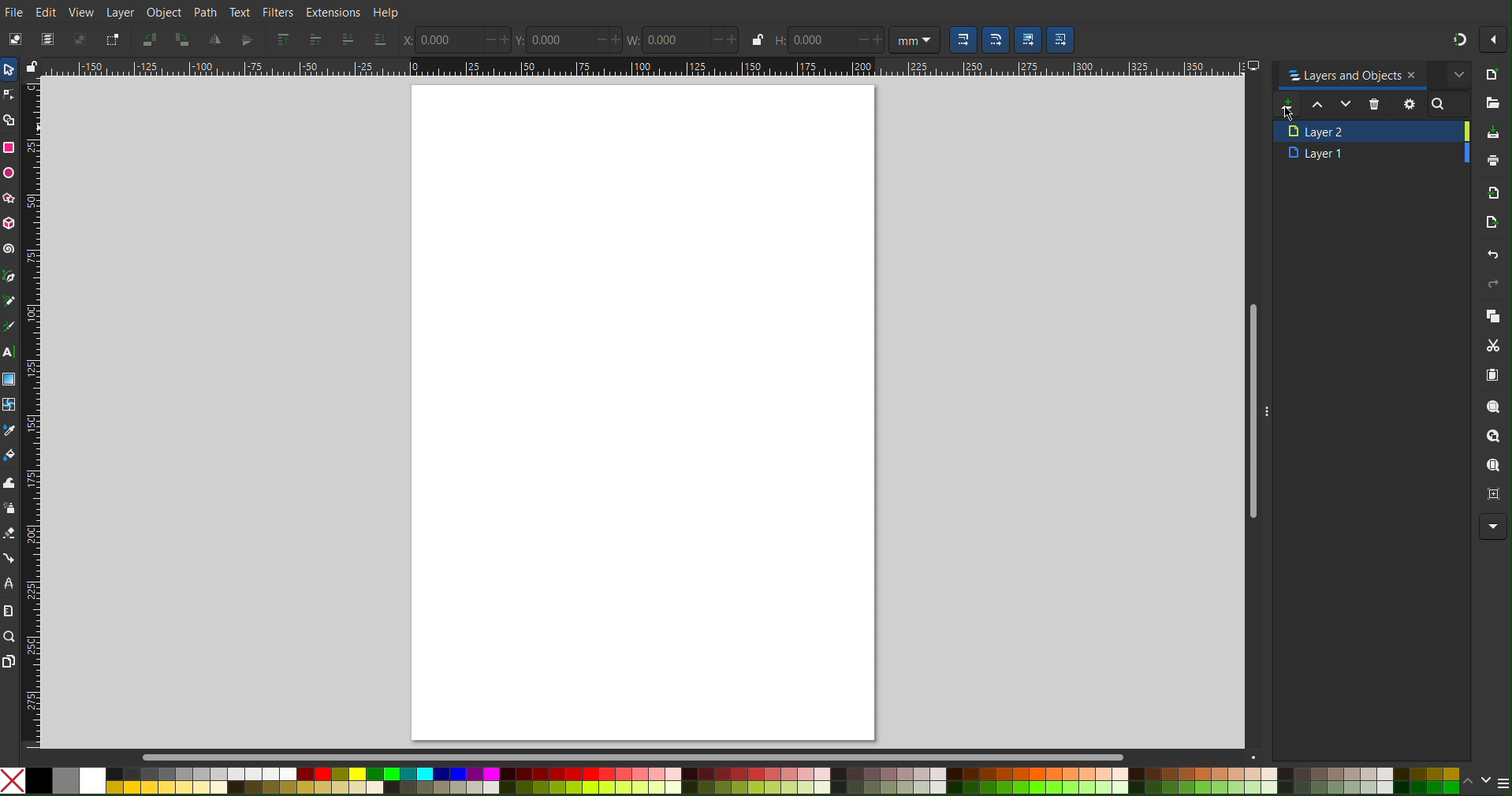 The width and height of the screenshot is (1512, 796). Describe the element at coordinates (641, 66) in the screenshot. I see `Horizontal Ruler` at that location.